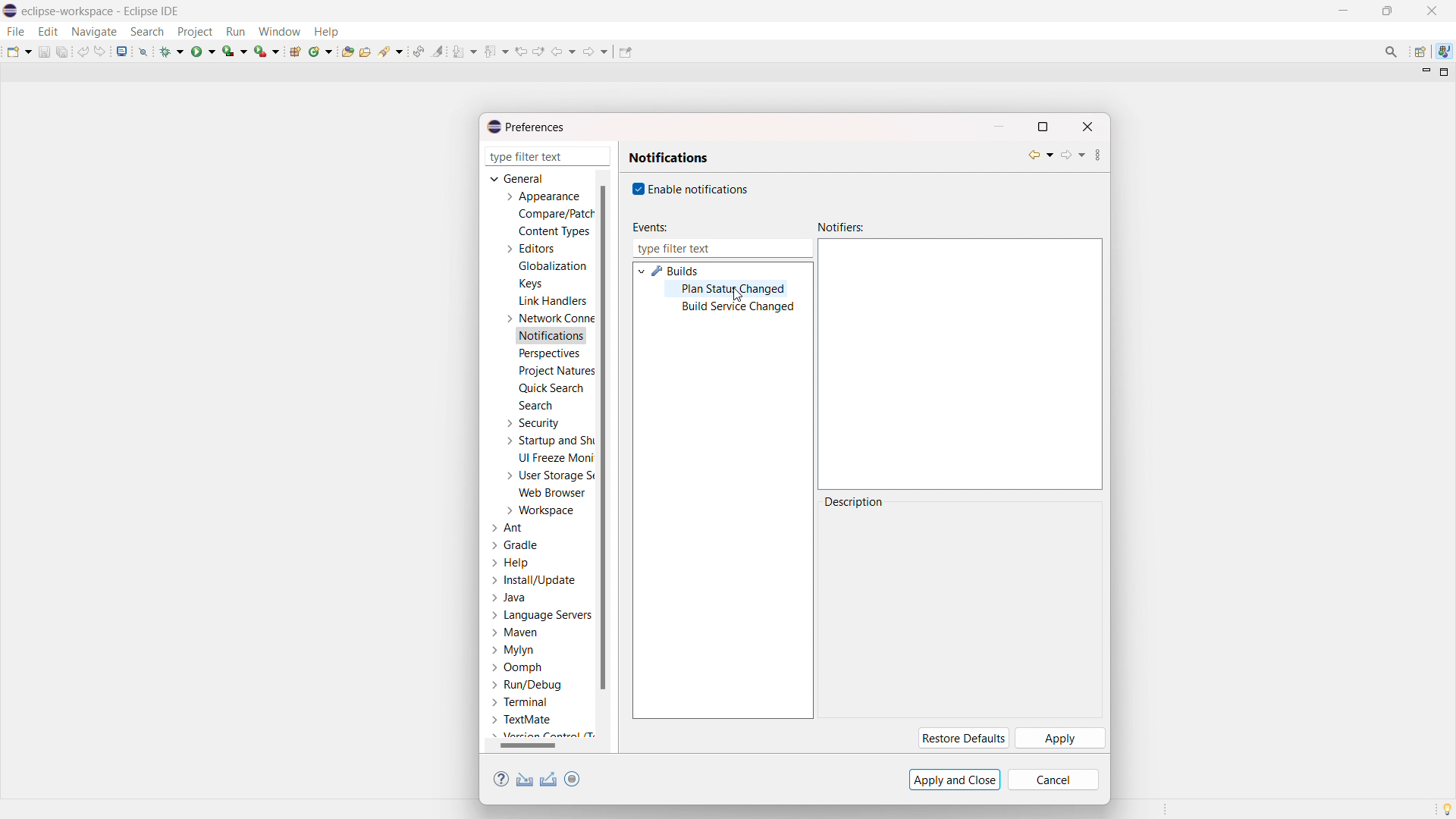 This screenshot has height=819, width=1456. Describe the element at coordinates (235, 32) in the screenshot. I see `run` at that location.